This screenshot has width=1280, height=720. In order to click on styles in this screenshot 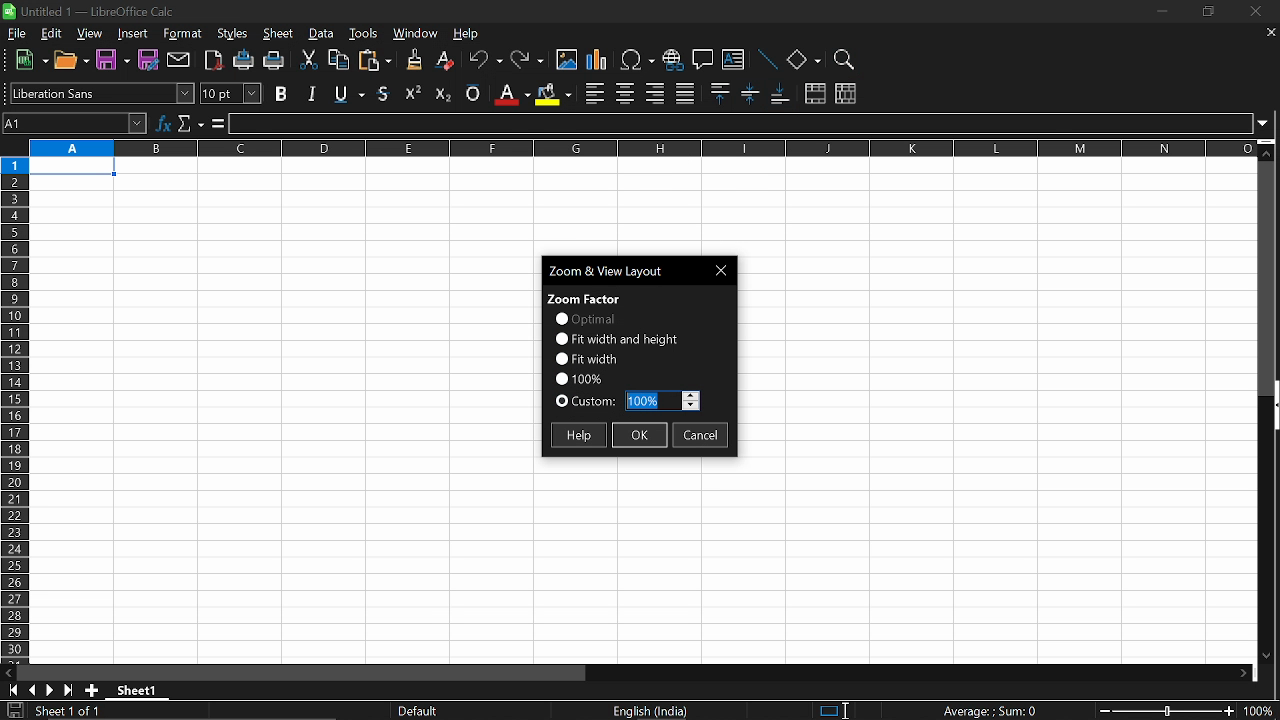, I will do `click(233, 35)`.